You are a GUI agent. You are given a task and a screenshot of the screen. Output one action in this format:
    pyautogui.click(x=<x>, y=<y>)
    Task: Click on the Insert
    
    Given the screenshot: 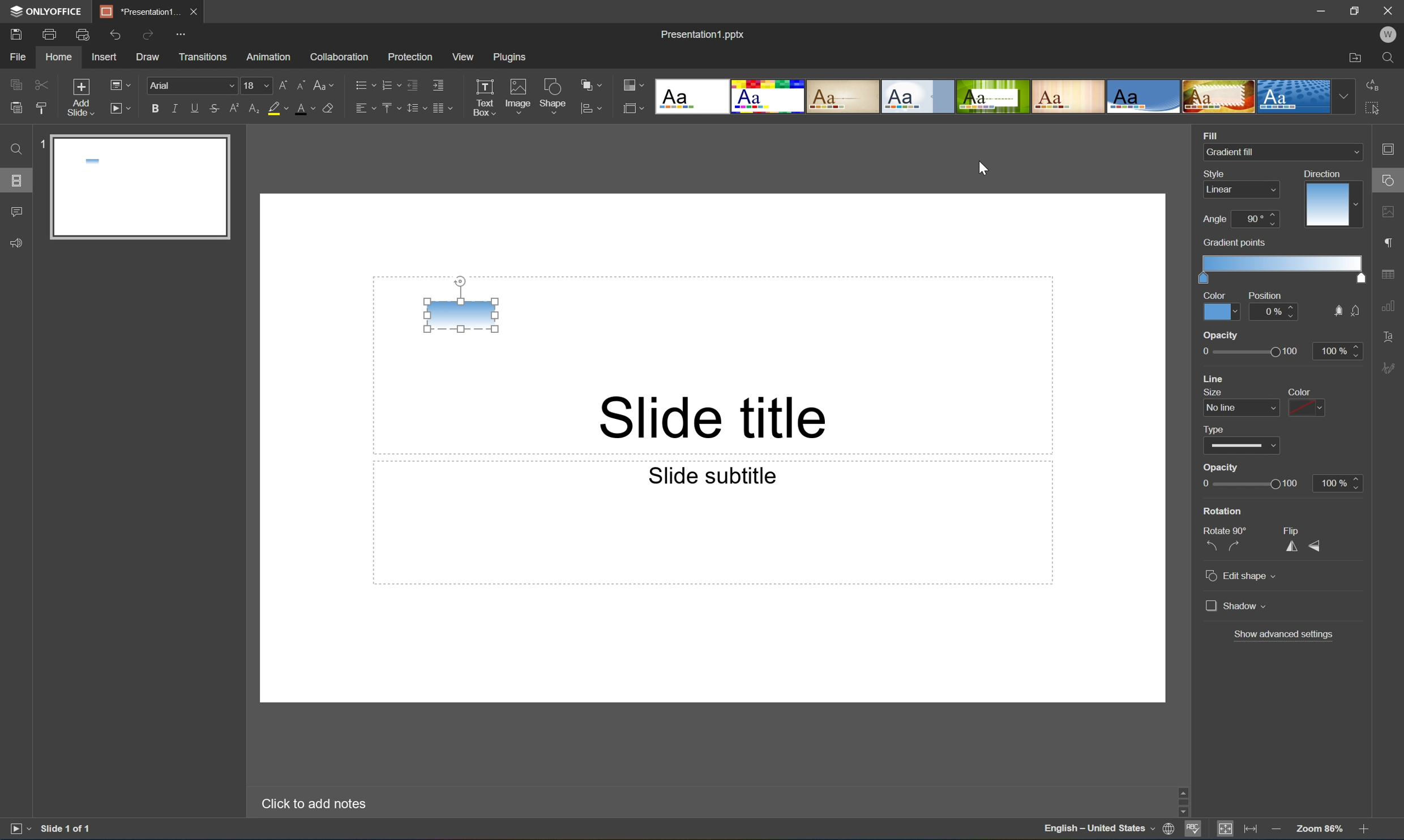 What is the action you would take?
    pyautogui.click(x=104, y=57)
    